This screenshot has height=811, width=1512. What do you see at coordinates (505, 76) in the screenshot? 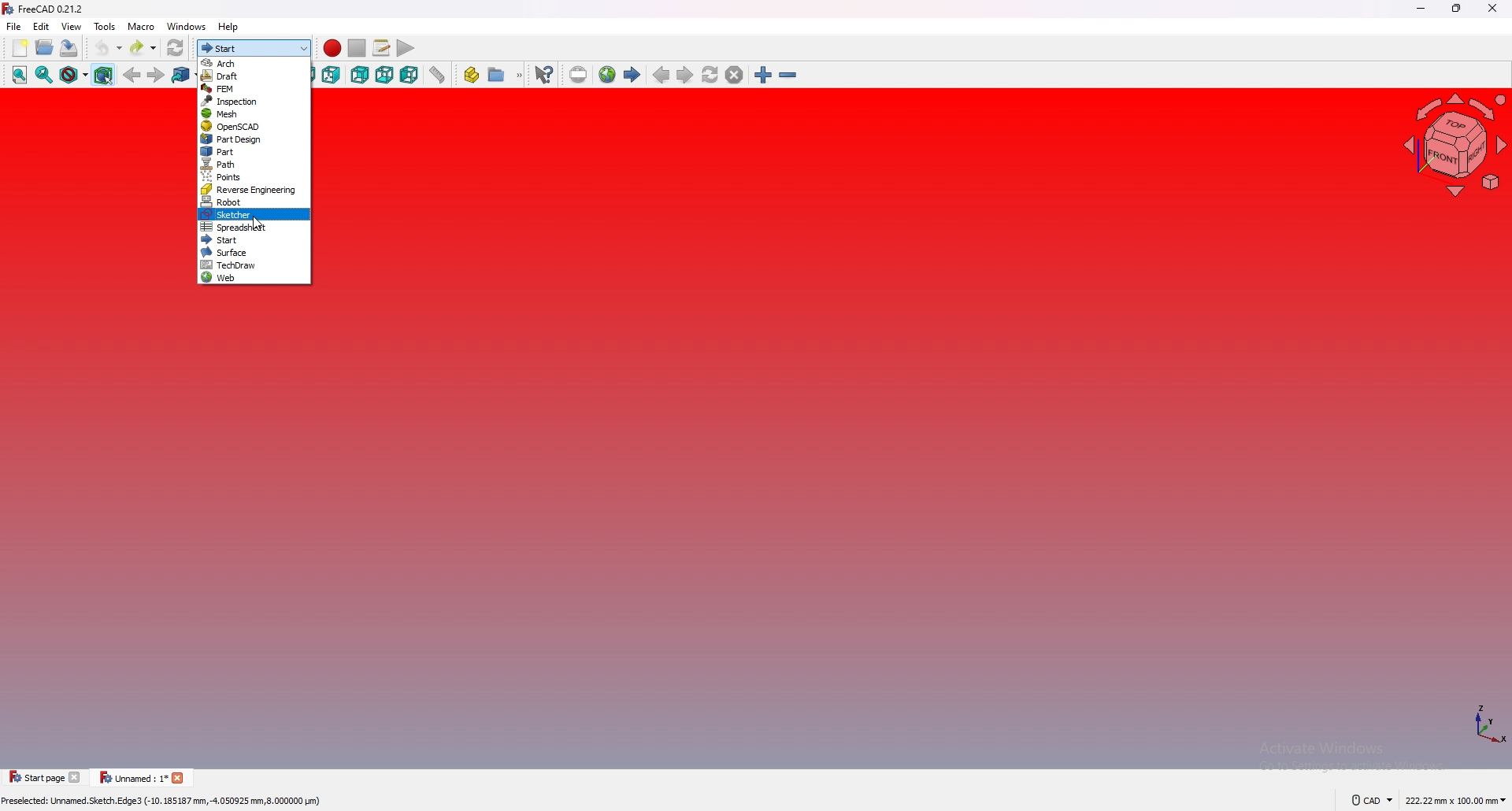
I see `create group` at bounding box center [505, 76].